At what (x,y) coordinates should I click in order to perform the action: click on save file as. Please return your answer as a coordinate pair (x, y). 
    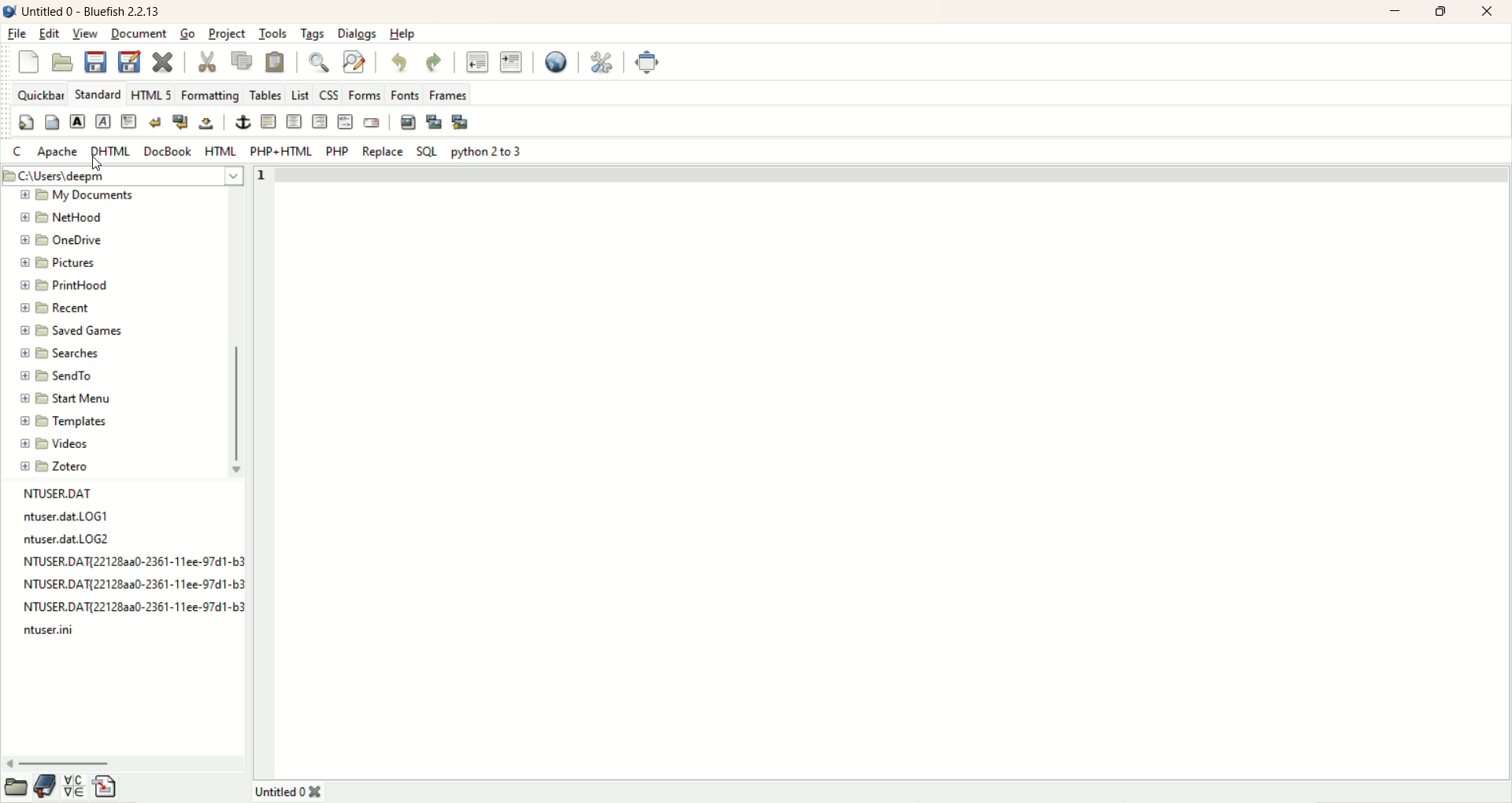
    Looking at the image, I should click on (128, 60).